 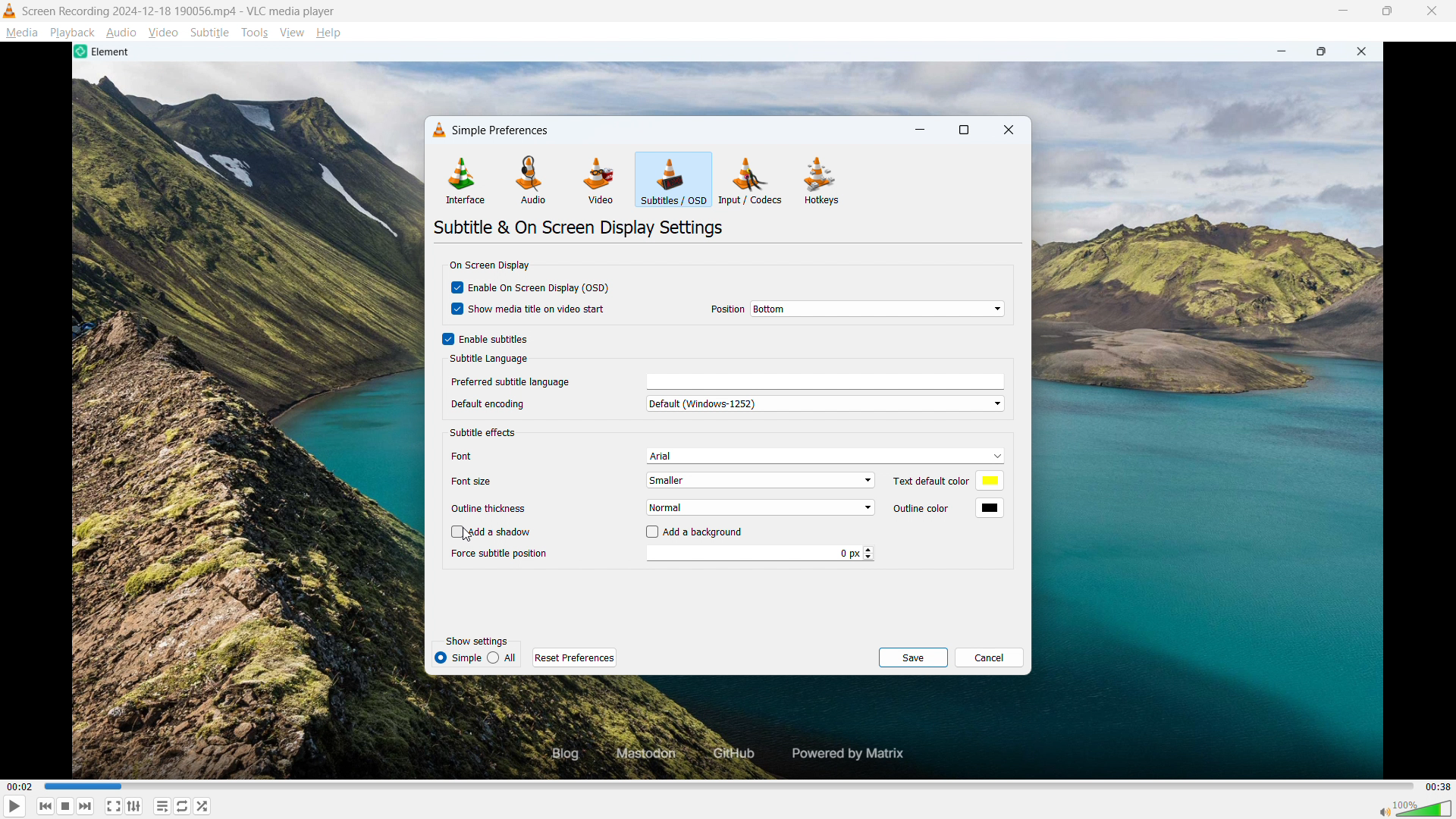 I want to click on close dialogue box, so click(x=1009, y=129).